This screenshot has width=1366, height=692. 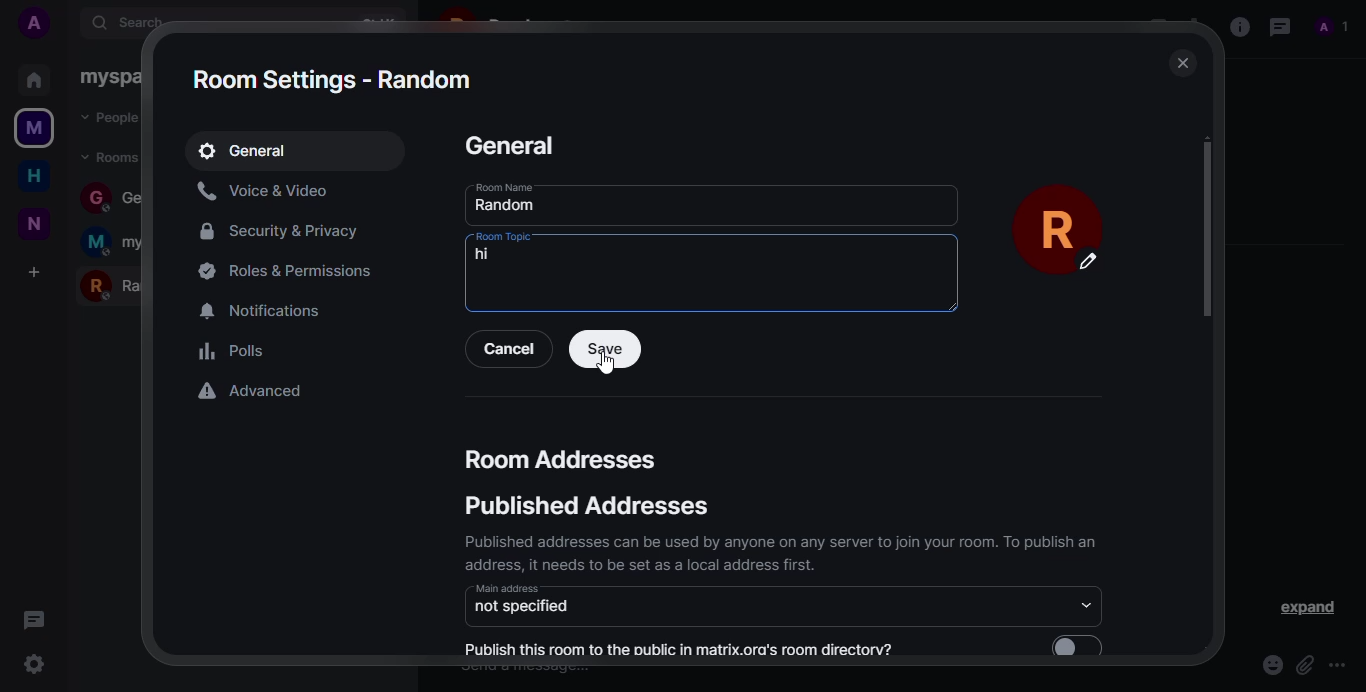 What do you see at coordinates (1066, 230) in the screenshot?
I see `profile pic` at bounding box center [1066, 230].